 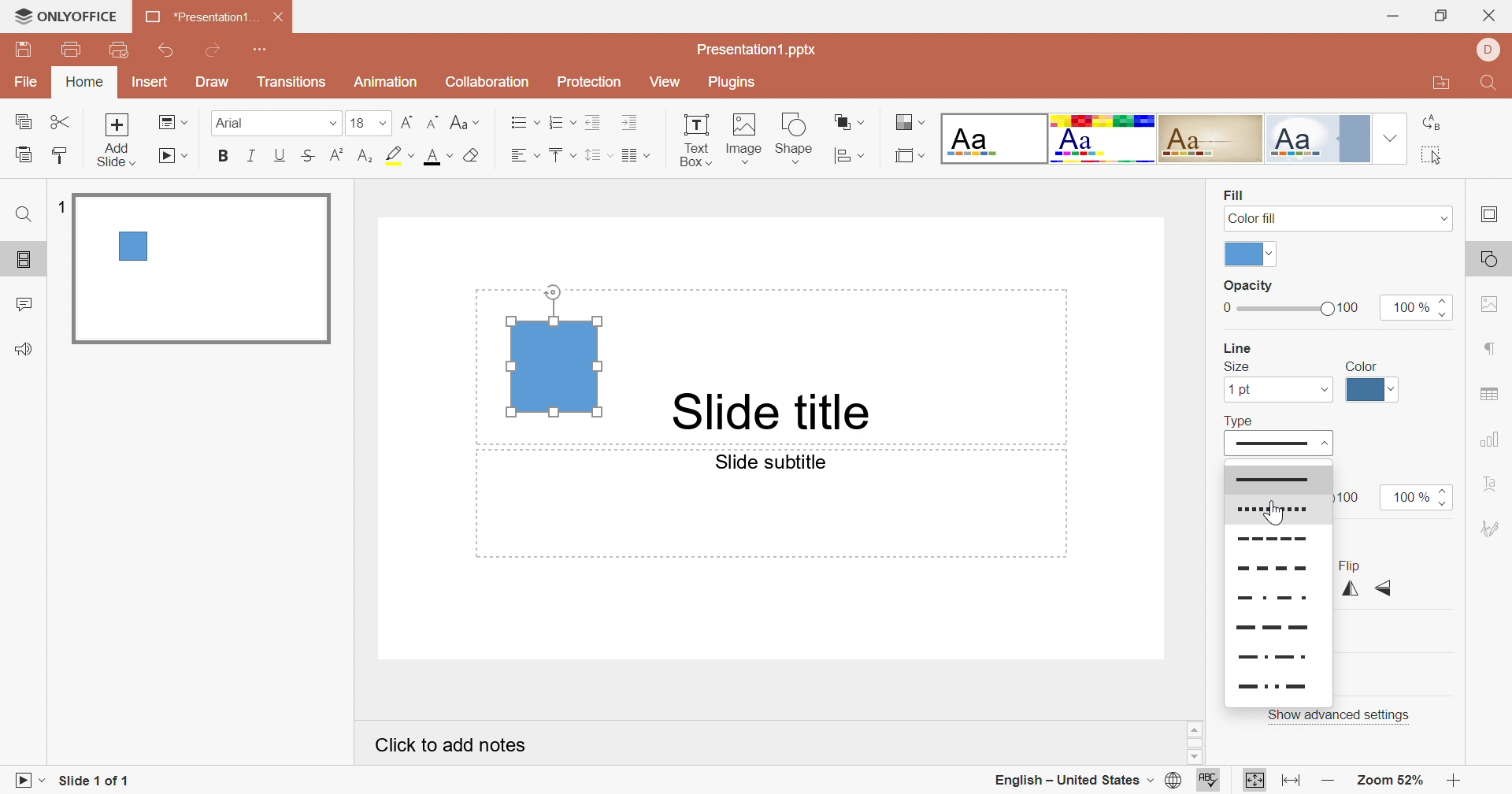 What do you see at coordinates (1210, 781) in the screenshot?
I see `Check spelling` at bounding box center [1210, 781].